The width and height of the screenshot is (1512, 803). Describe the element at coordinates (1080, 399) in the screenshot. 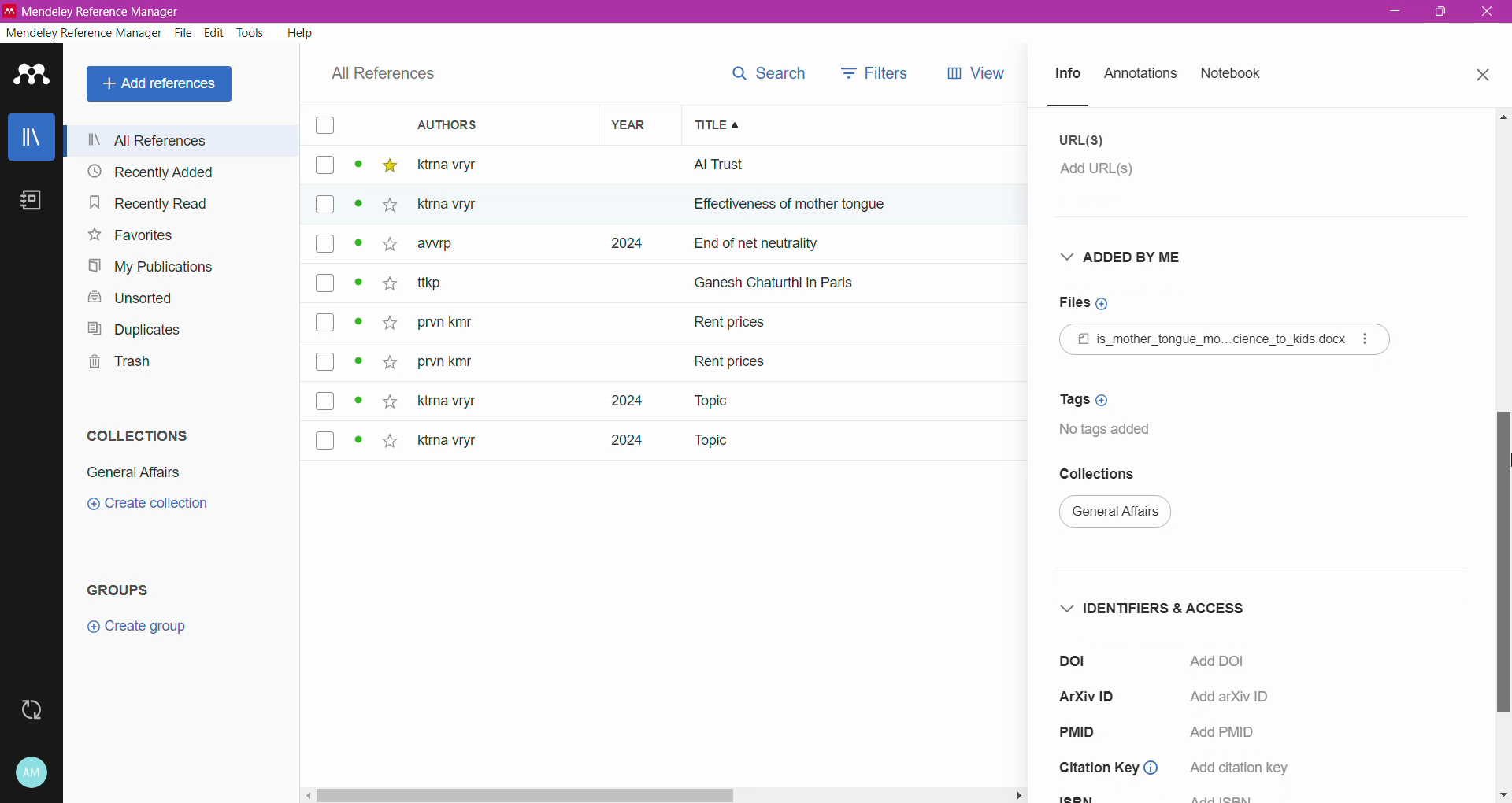

I see `Click to add Tags` at that location.